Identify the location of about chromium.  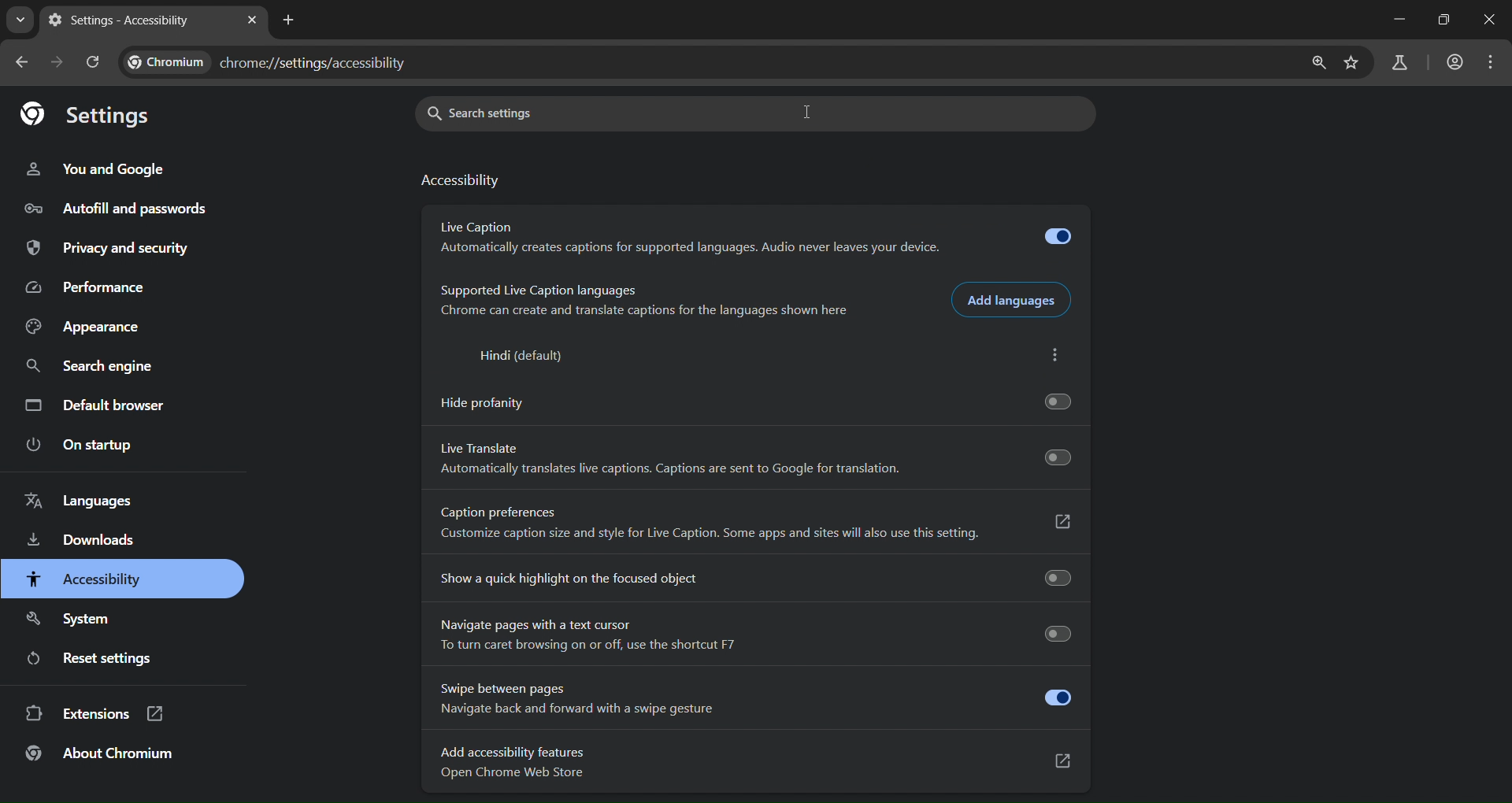
(101, 756).